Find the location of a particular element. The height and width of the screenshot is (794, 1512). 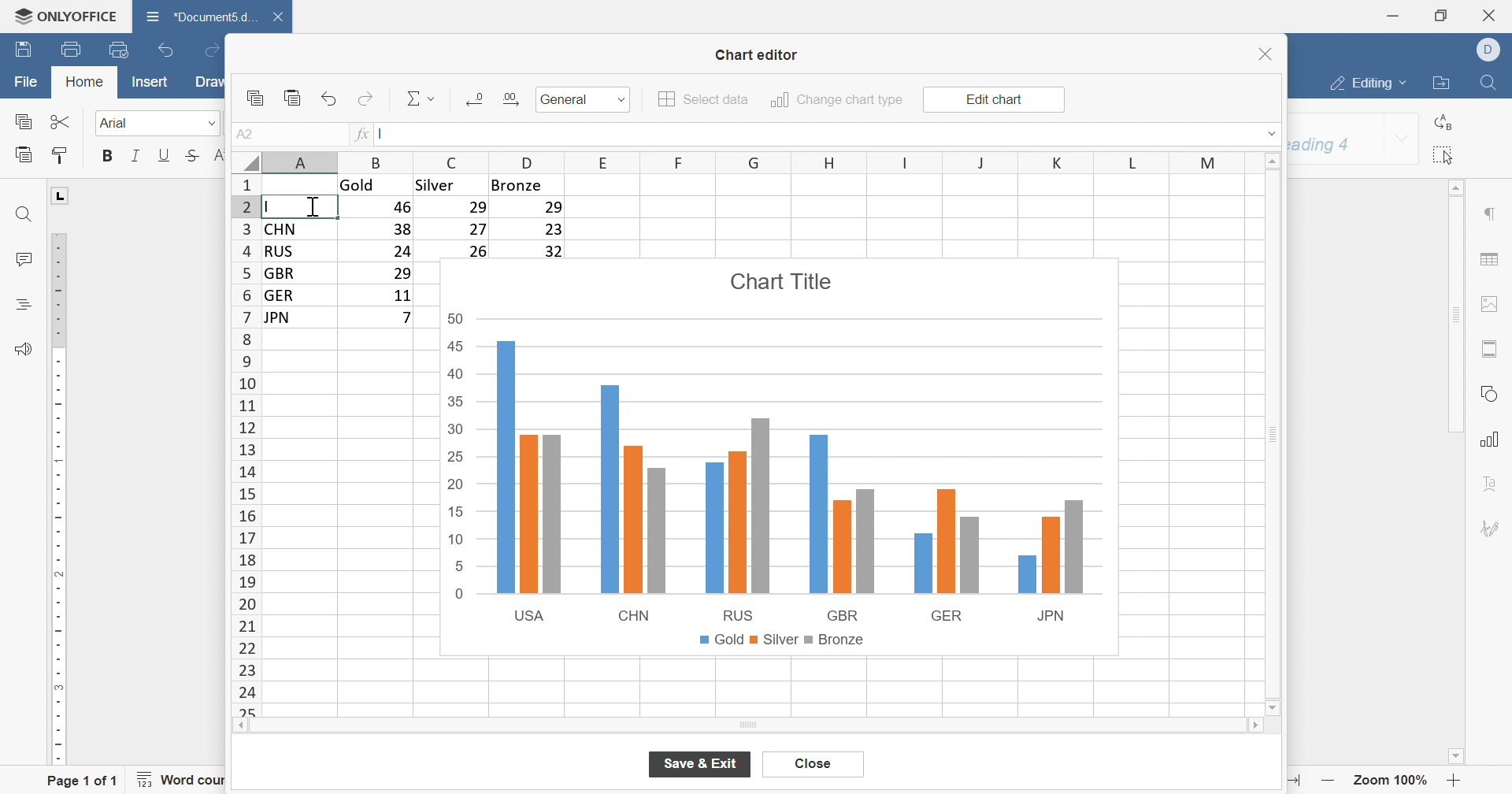

image settings is located at coordinates (1488, 305).